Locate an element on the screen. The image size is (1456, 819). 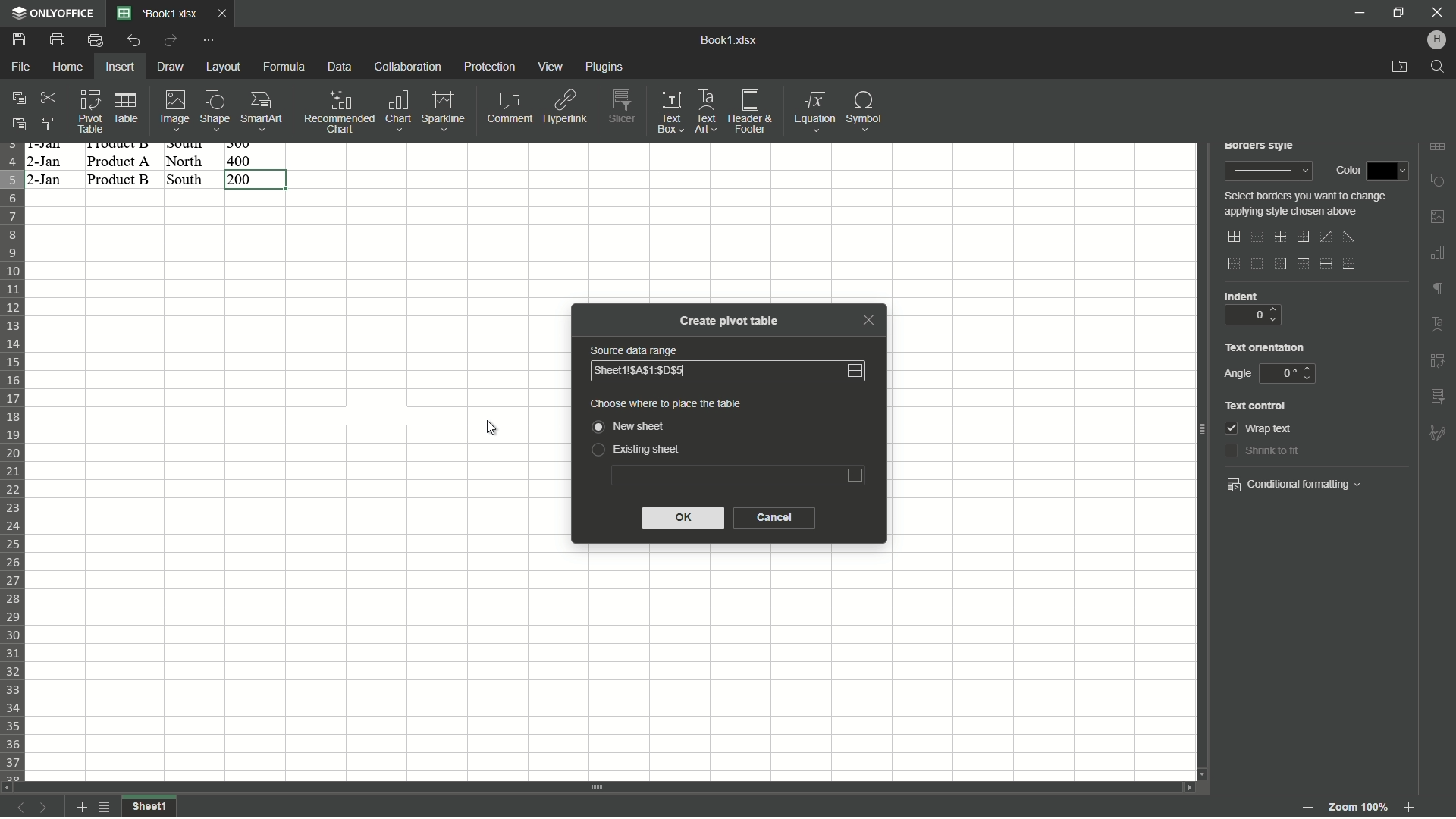
Layout is located at coordinates (221, 66).